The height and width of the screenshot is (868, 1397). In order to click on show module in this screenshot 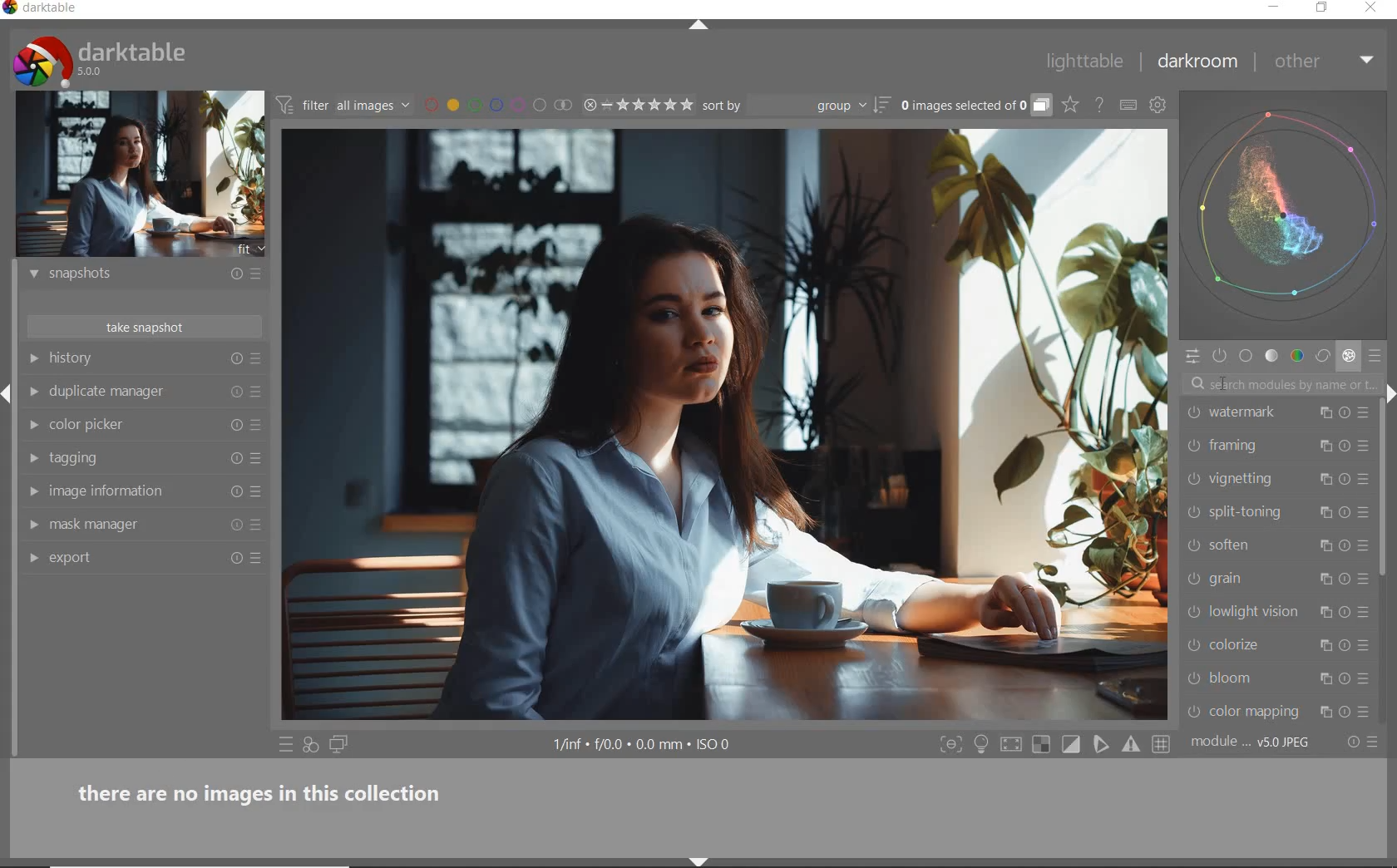, I will do `click(31, 491)`.